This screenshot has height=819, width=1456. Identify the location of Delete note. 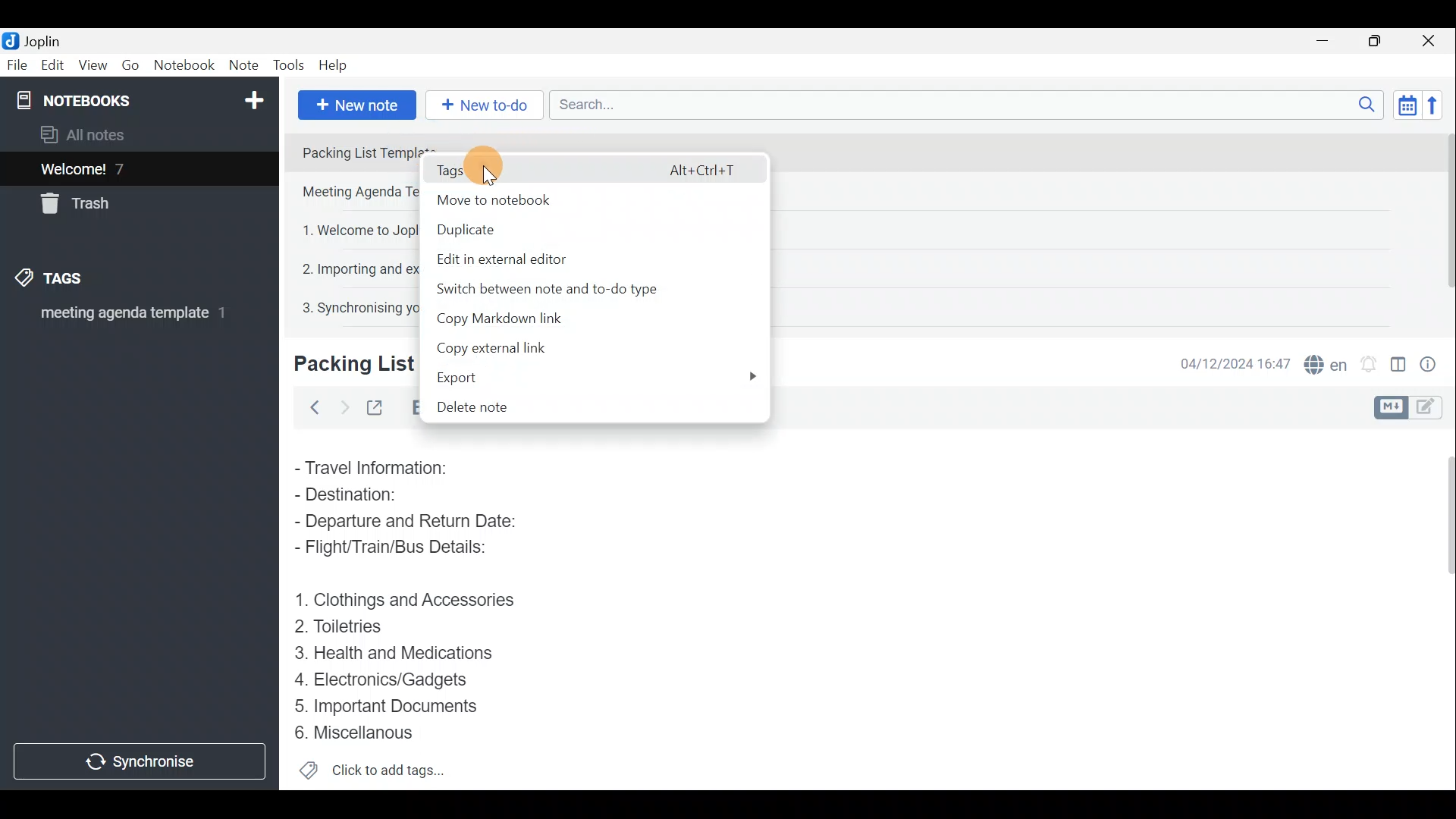
(491, 405).